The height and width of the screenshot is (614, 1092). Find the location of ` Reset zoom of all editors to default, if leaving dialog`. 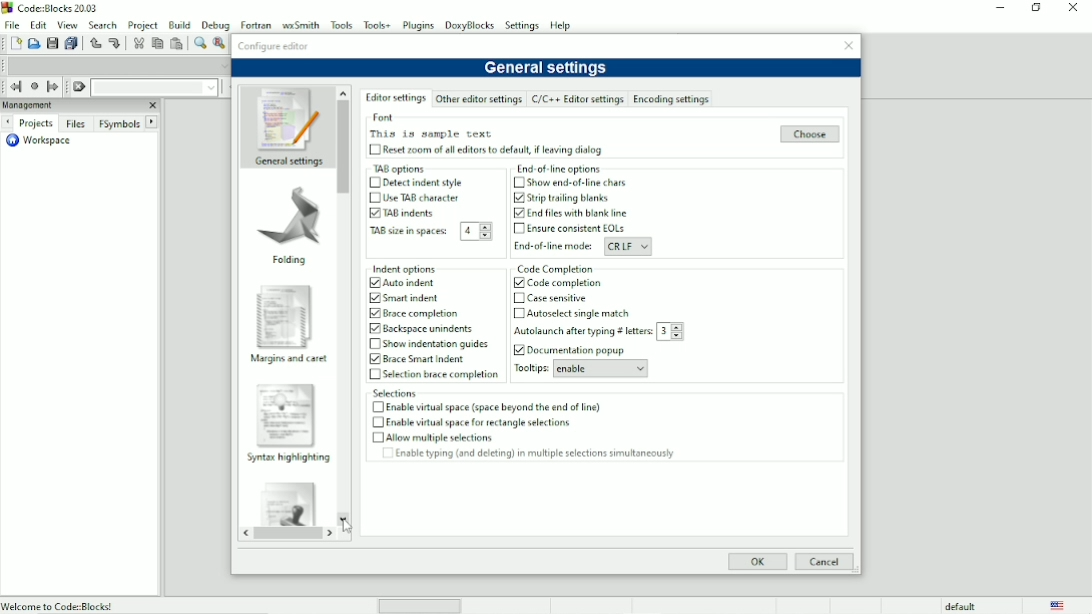

 Reset zoom of all editors to default, if leaving dialog is located at coordinates (494, 150).